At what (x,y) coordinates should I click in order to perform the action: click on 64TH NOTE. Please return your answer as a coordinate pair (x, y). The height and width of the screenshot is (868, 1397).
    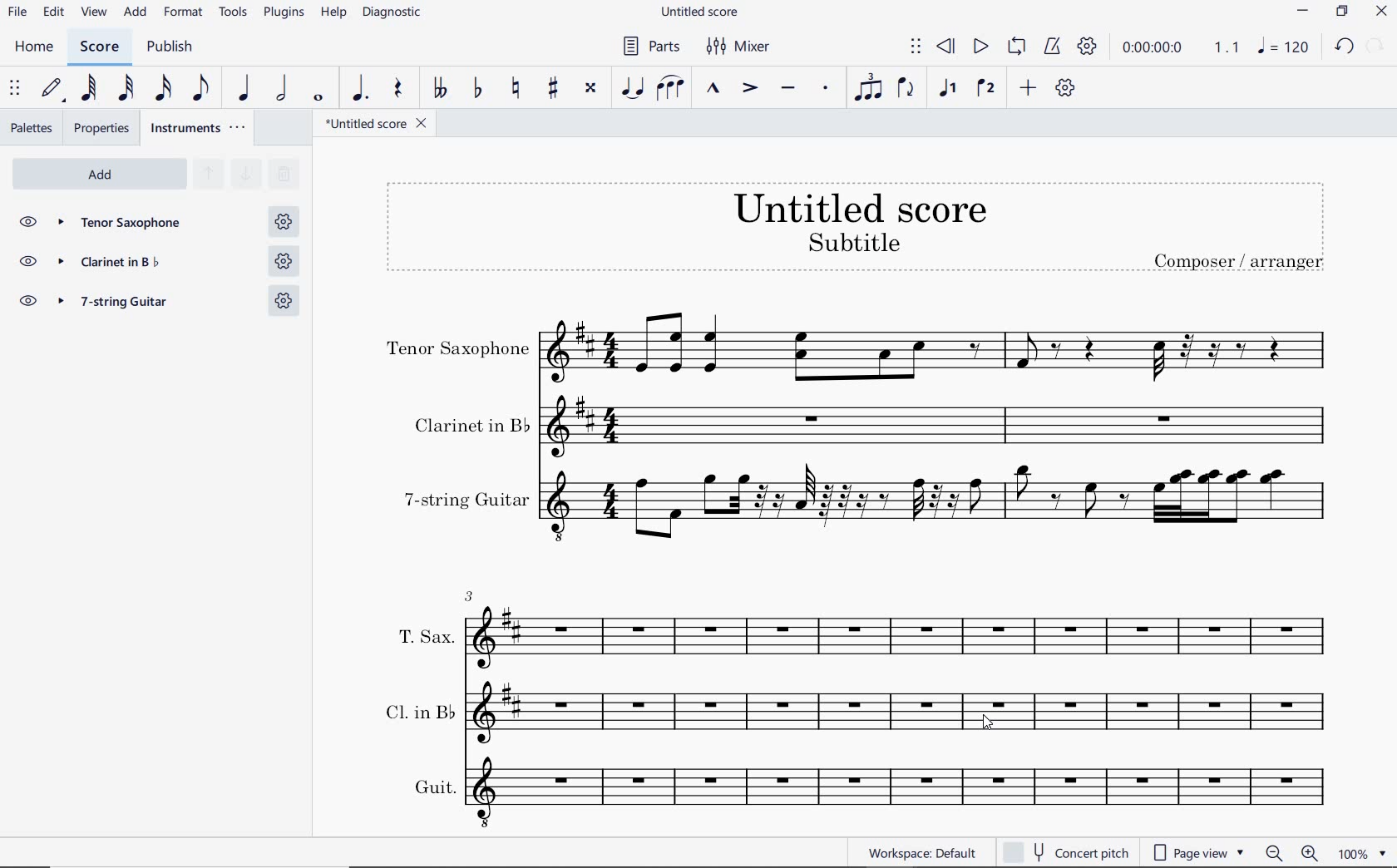
    Looking at the image, I should click on (87, 87).